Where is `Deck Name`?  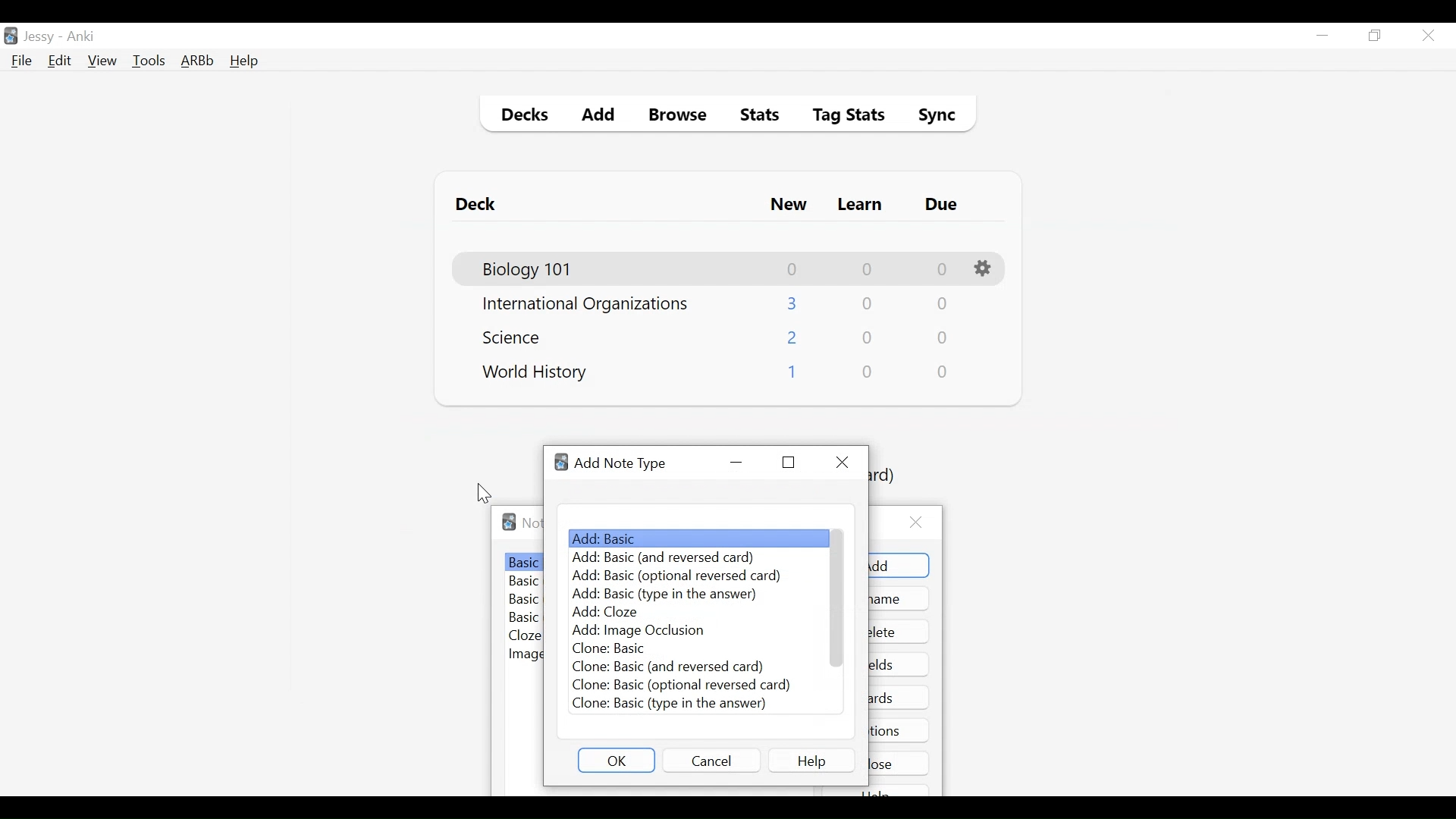
Deck Name is located at coordinates (529, 270).